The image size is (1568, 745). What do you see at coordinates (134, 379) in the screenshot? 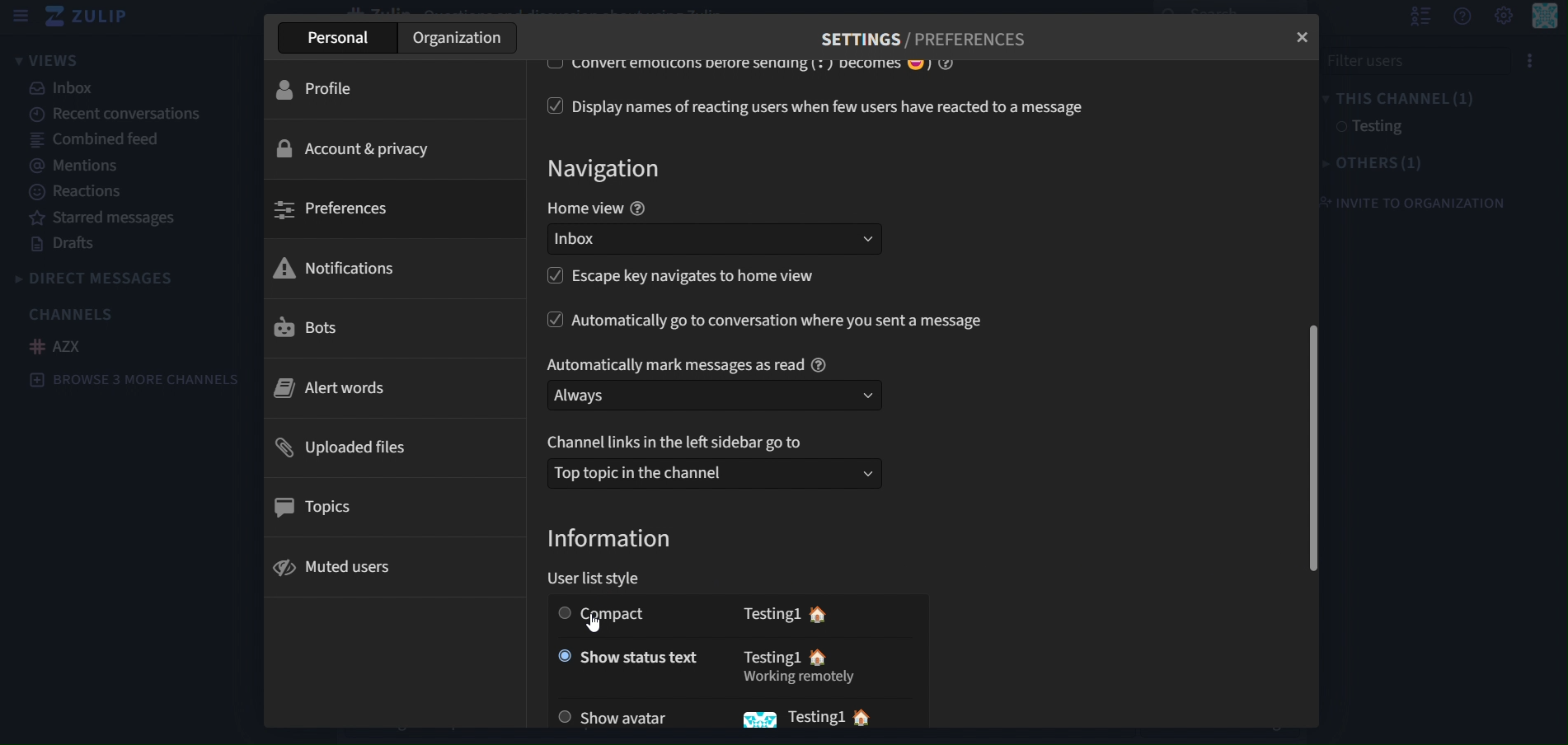
I see `Browse 3 more channels` at bounding box center [134, 379].